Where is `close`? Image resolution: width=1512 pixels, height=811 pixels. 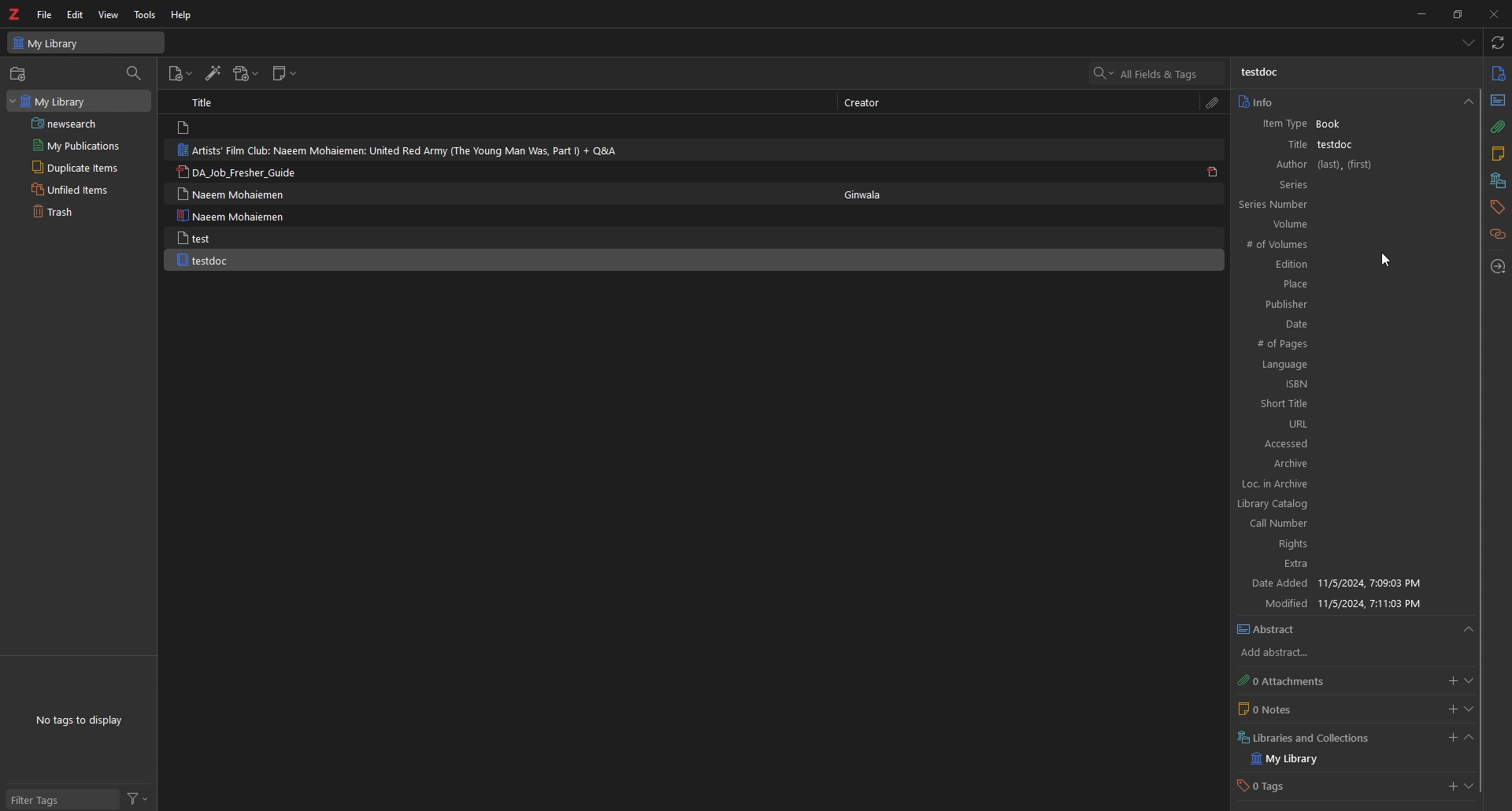
close is located at coordinates (1492, 13).